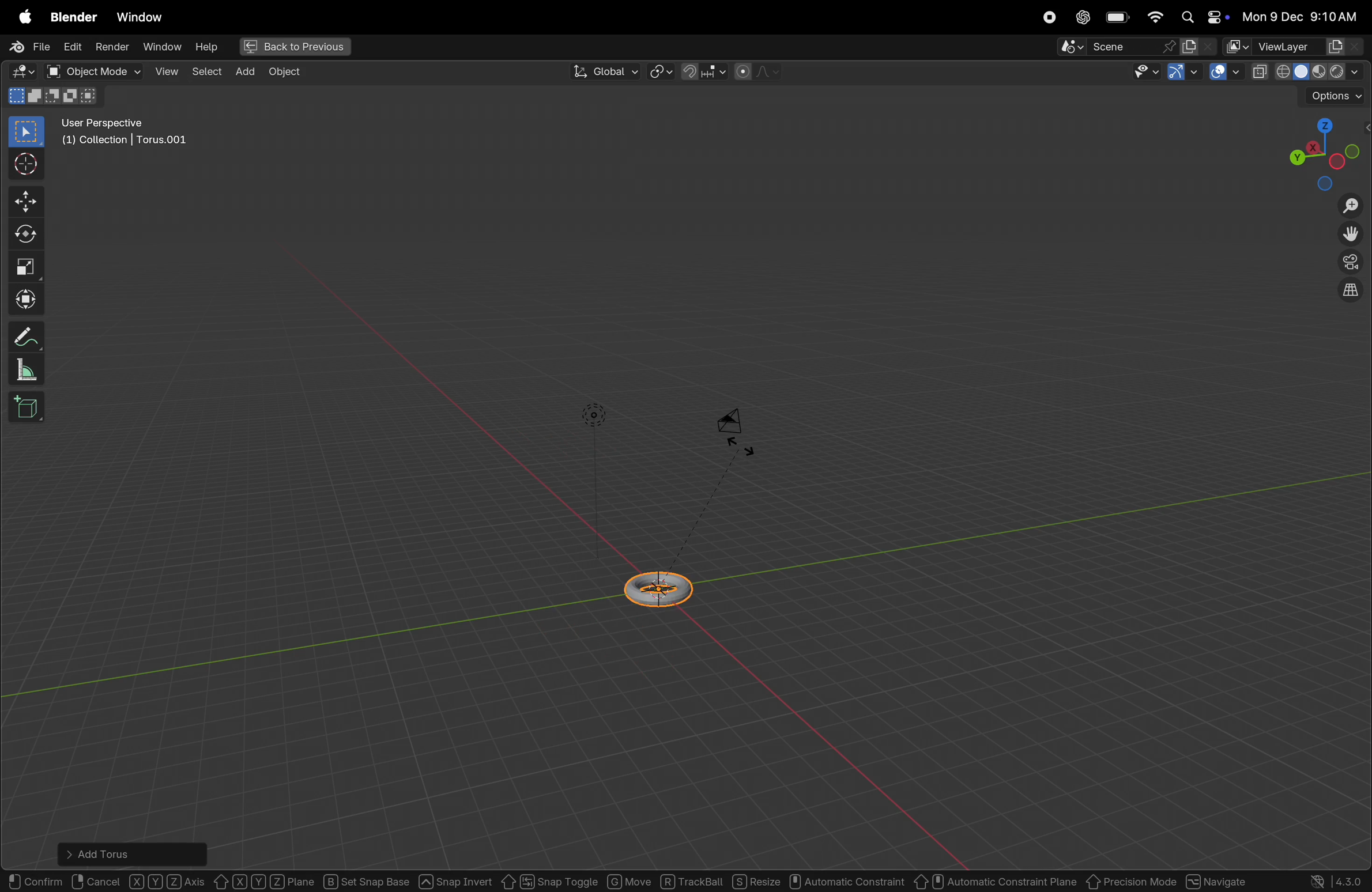 The image size is (1372, 892). Describe the element at coordinates (28, 266) in the screenshot. I see `scale` at that location.